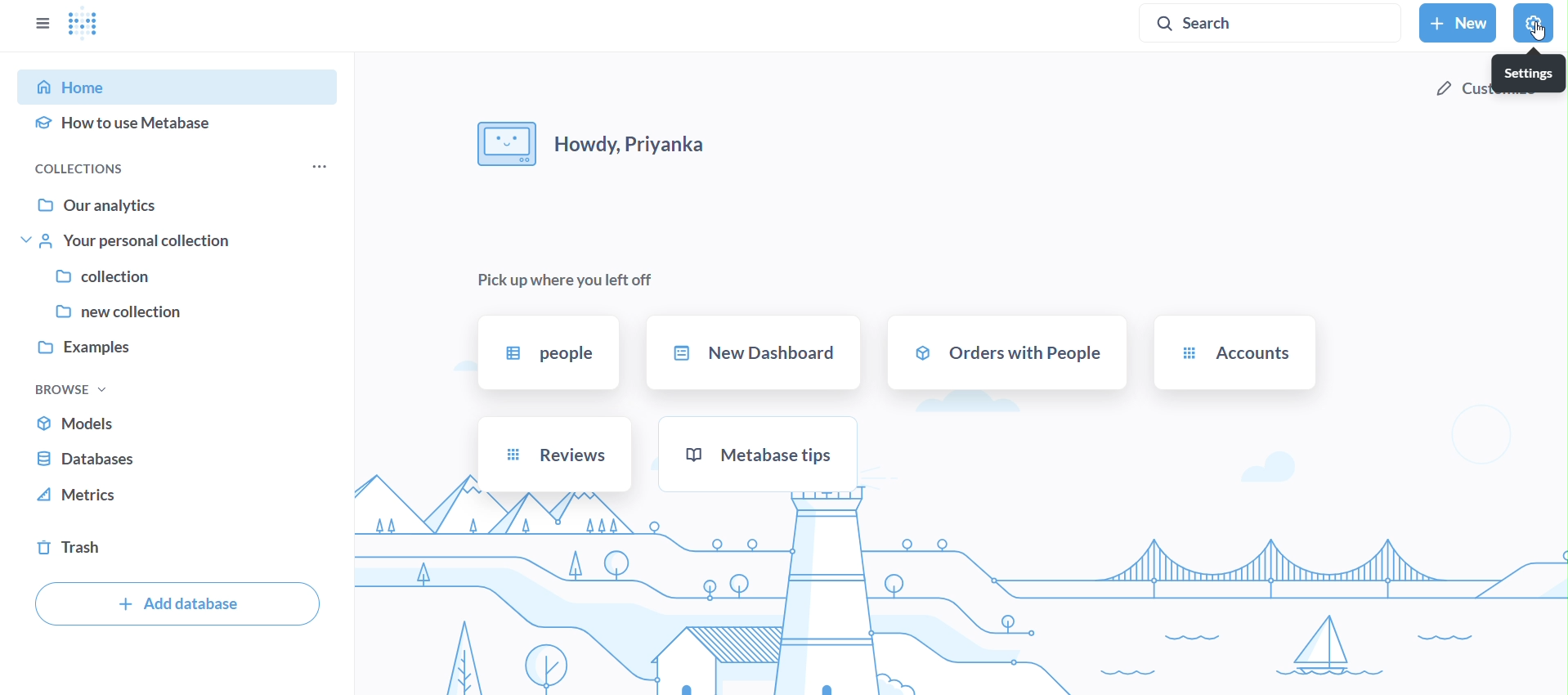 This screenshot has height=695, width=1568. I want to click on more, so click(316, 168).